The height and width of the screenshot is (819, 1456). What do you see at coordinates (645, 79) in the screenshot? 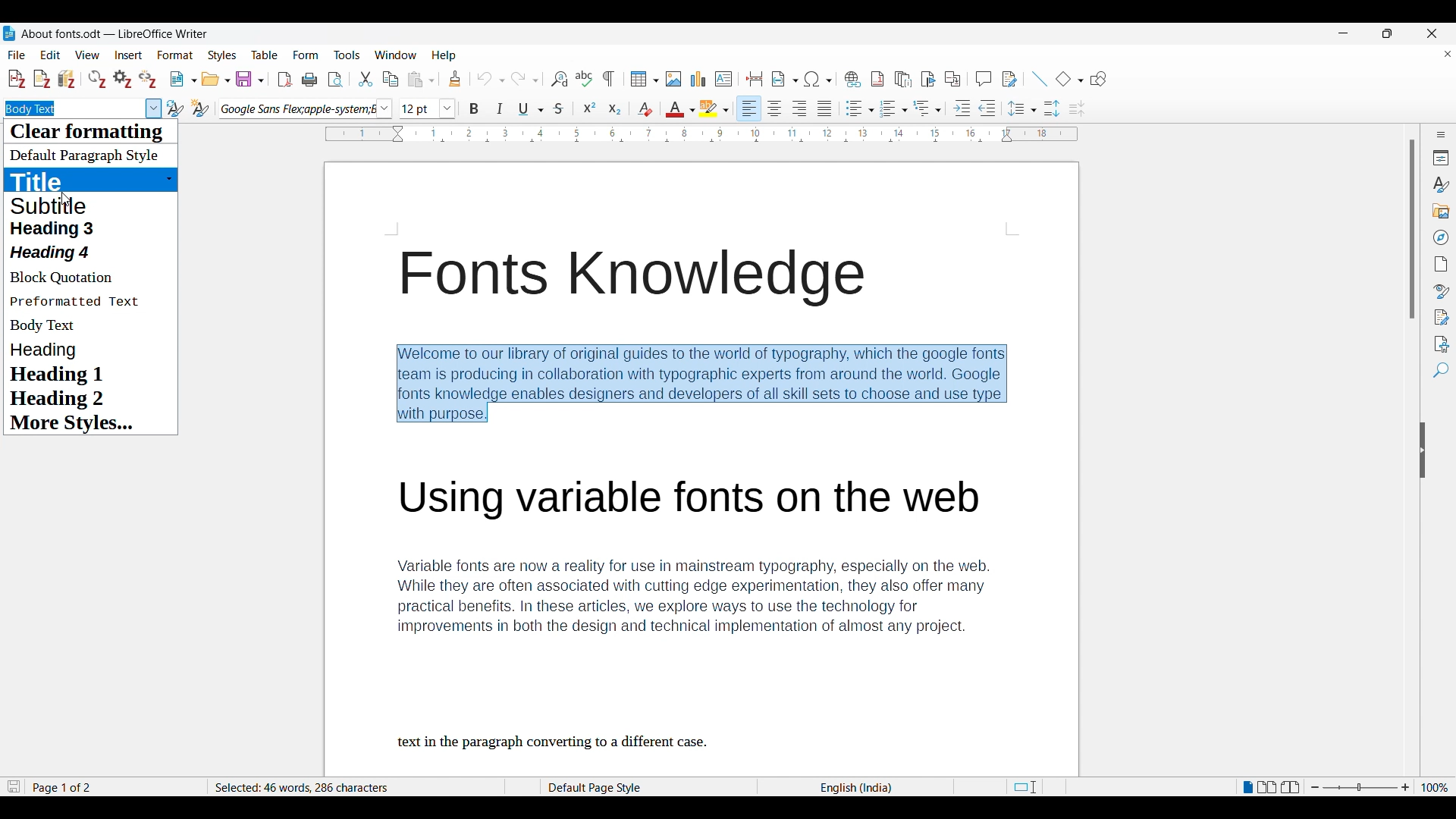
I see `Insert table` at bounding box center [645, 79].